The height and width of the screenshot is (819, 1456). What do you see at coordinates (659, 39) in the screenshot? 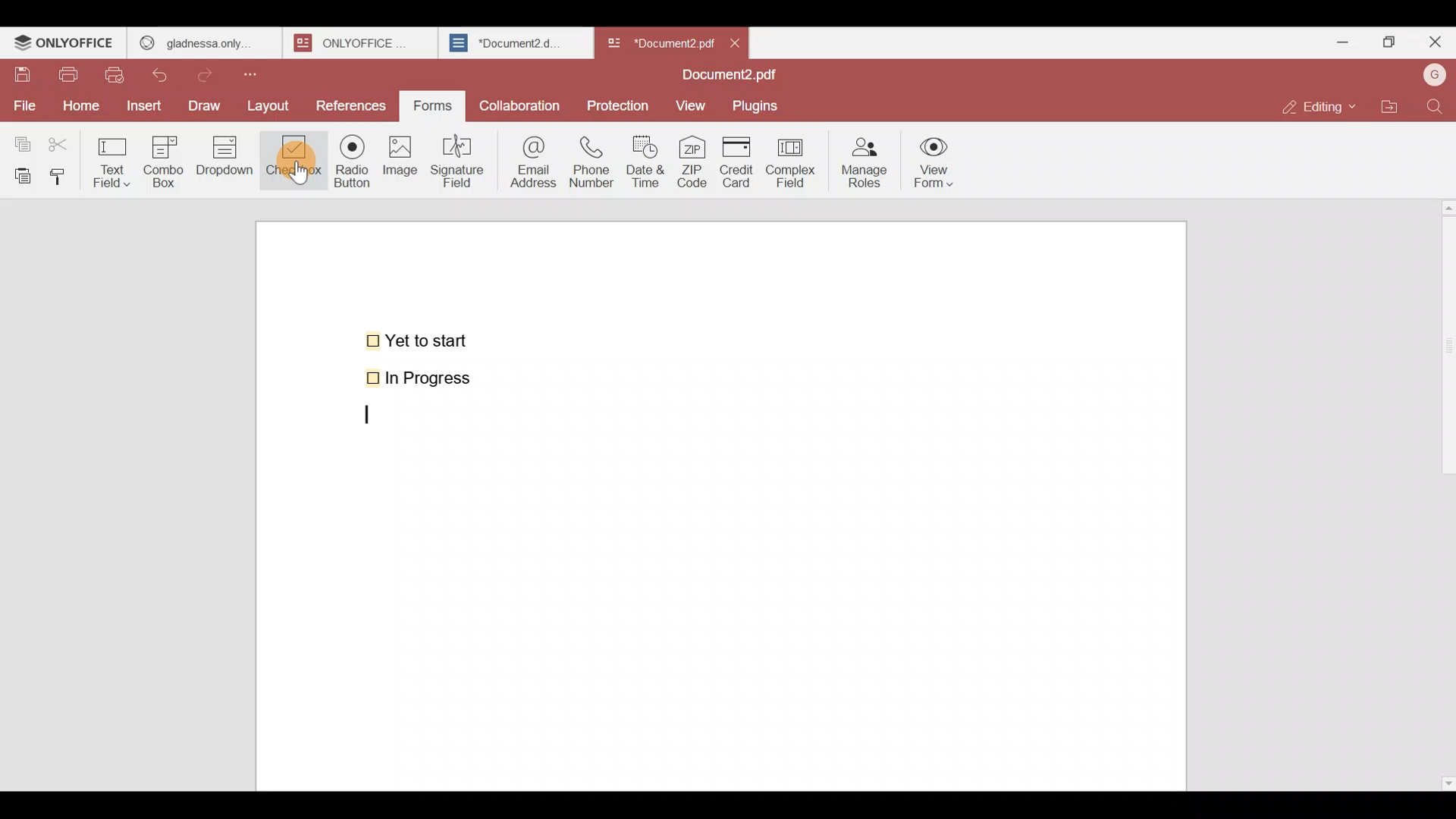
I see `Document name` at bounding box center [659, 39].